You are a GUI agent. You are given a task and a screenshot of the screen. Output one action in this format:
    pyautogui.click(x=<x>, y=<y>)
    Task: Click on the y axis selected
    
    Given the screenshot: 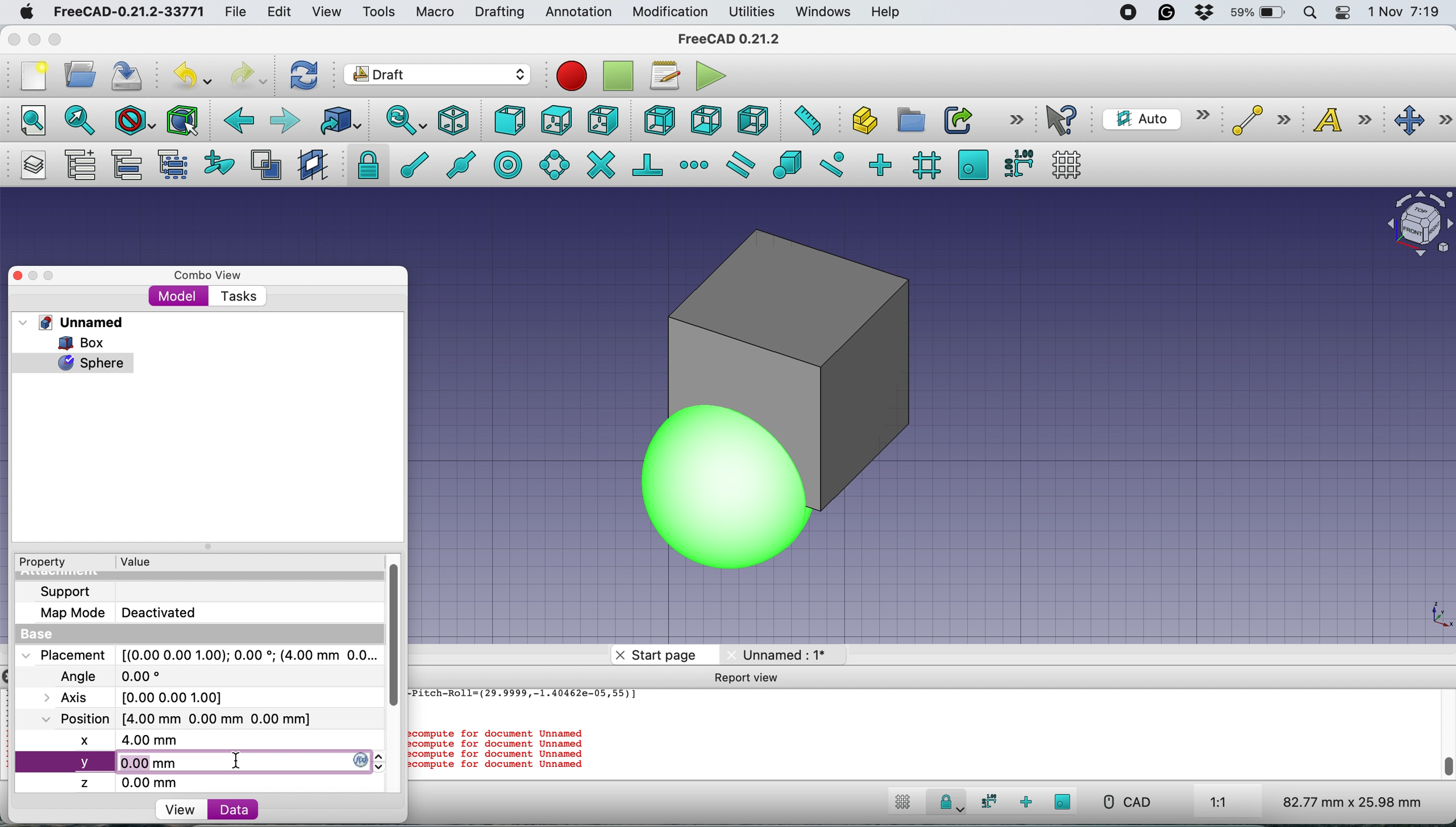 What is the action you would take?
    pyautogui.click(x=107, y=764)
    